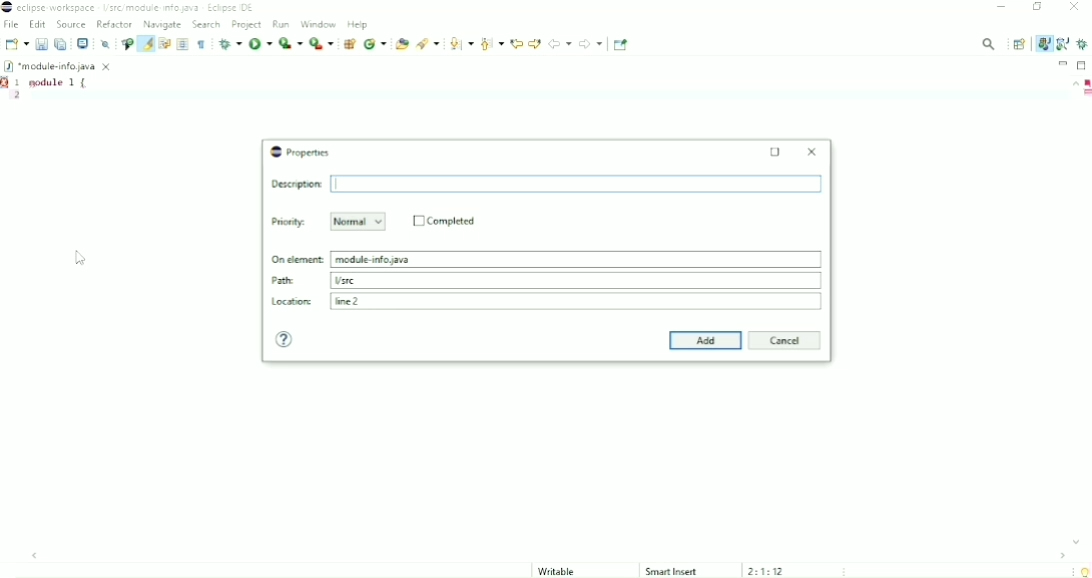  Describe the element at coordinates (547, 281) in the screenshot. I see `Path` at that location.